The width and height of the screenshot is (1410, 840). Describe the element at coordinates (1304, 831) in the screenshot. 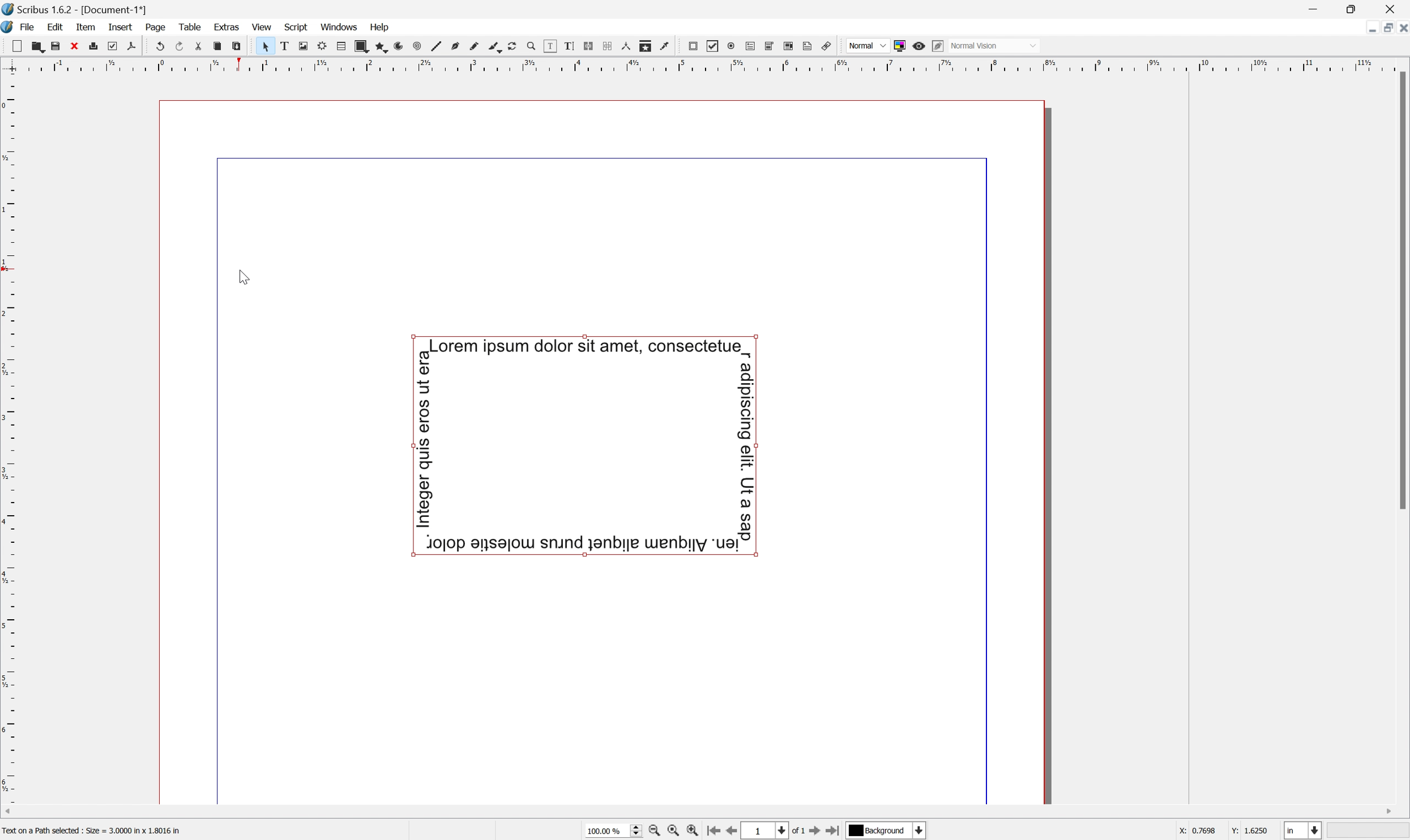

I see `Select the current unit` at that location.